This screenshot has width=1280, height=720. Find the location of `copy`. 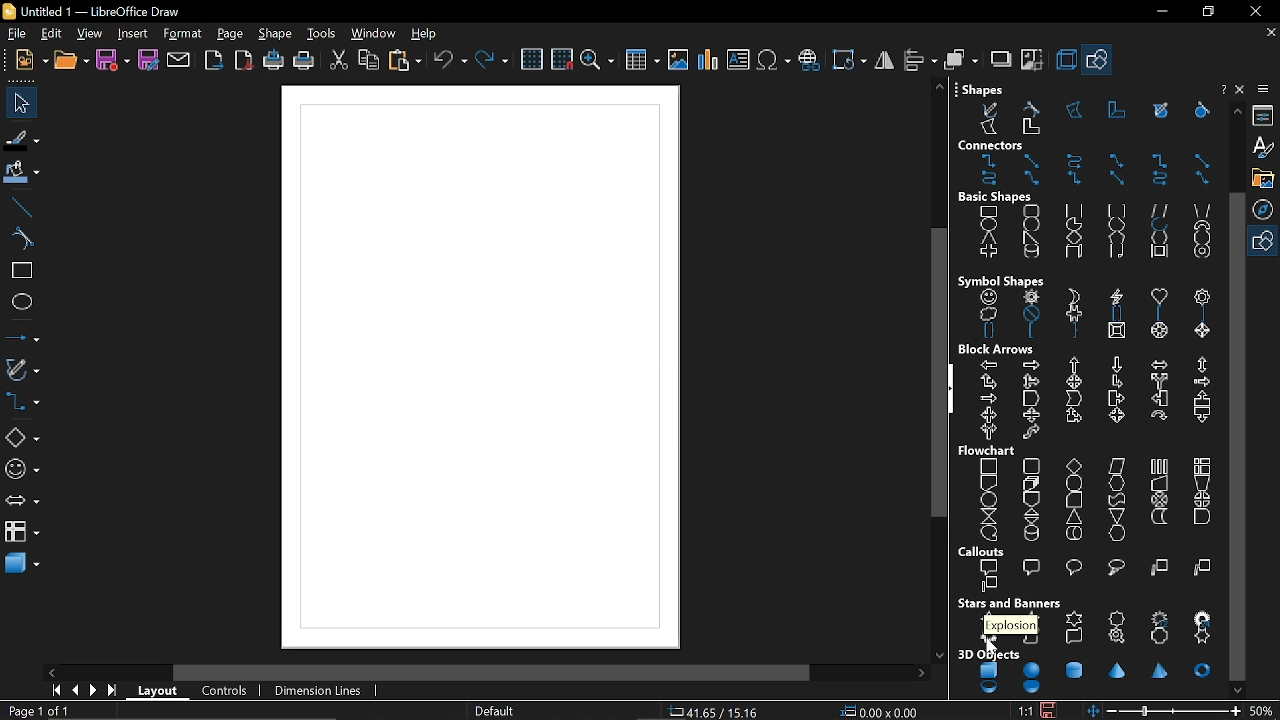

copy is located at coordinates (368, 60).